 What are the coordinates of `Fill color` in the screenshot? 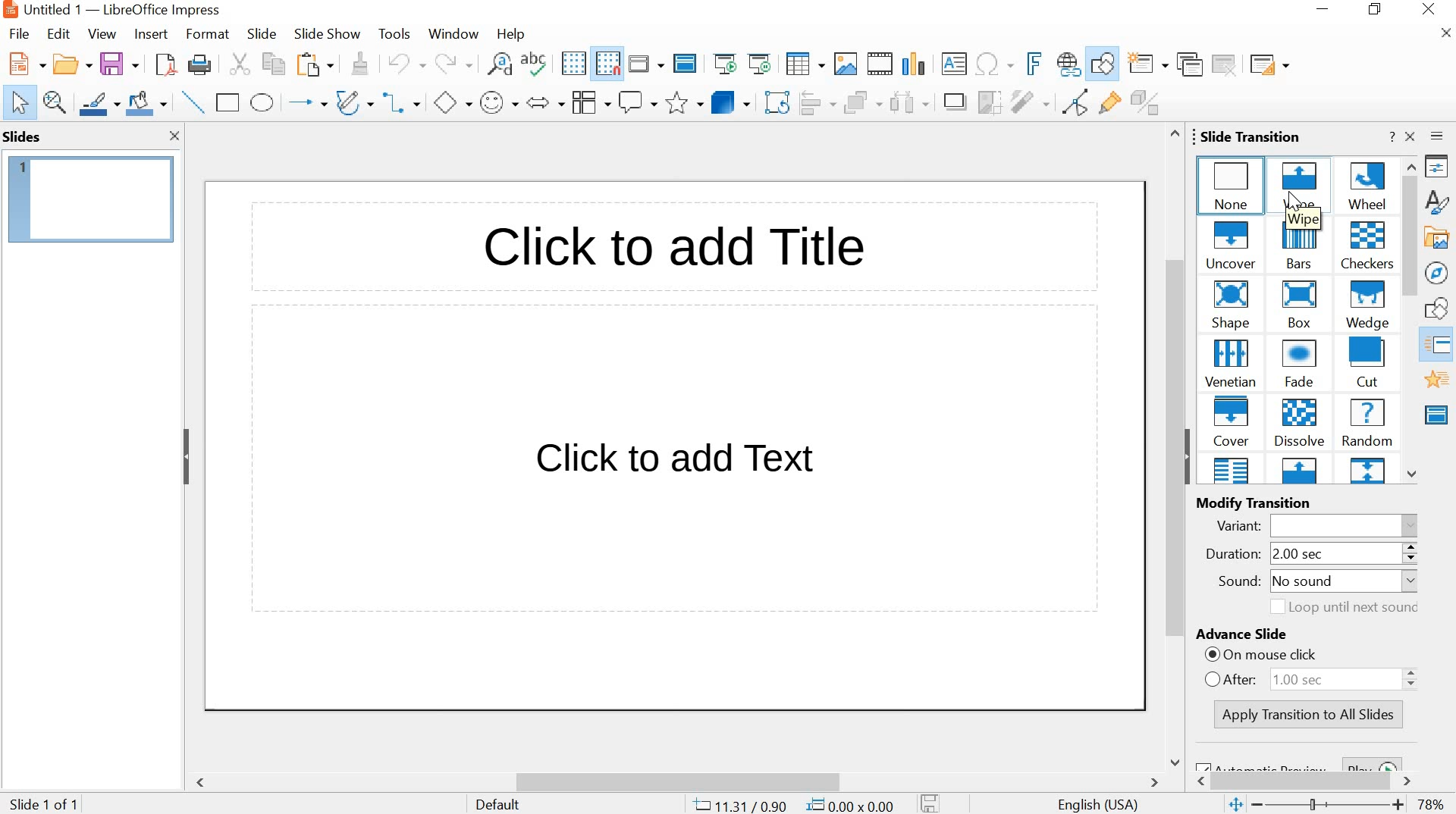 It's located at (146, 103).